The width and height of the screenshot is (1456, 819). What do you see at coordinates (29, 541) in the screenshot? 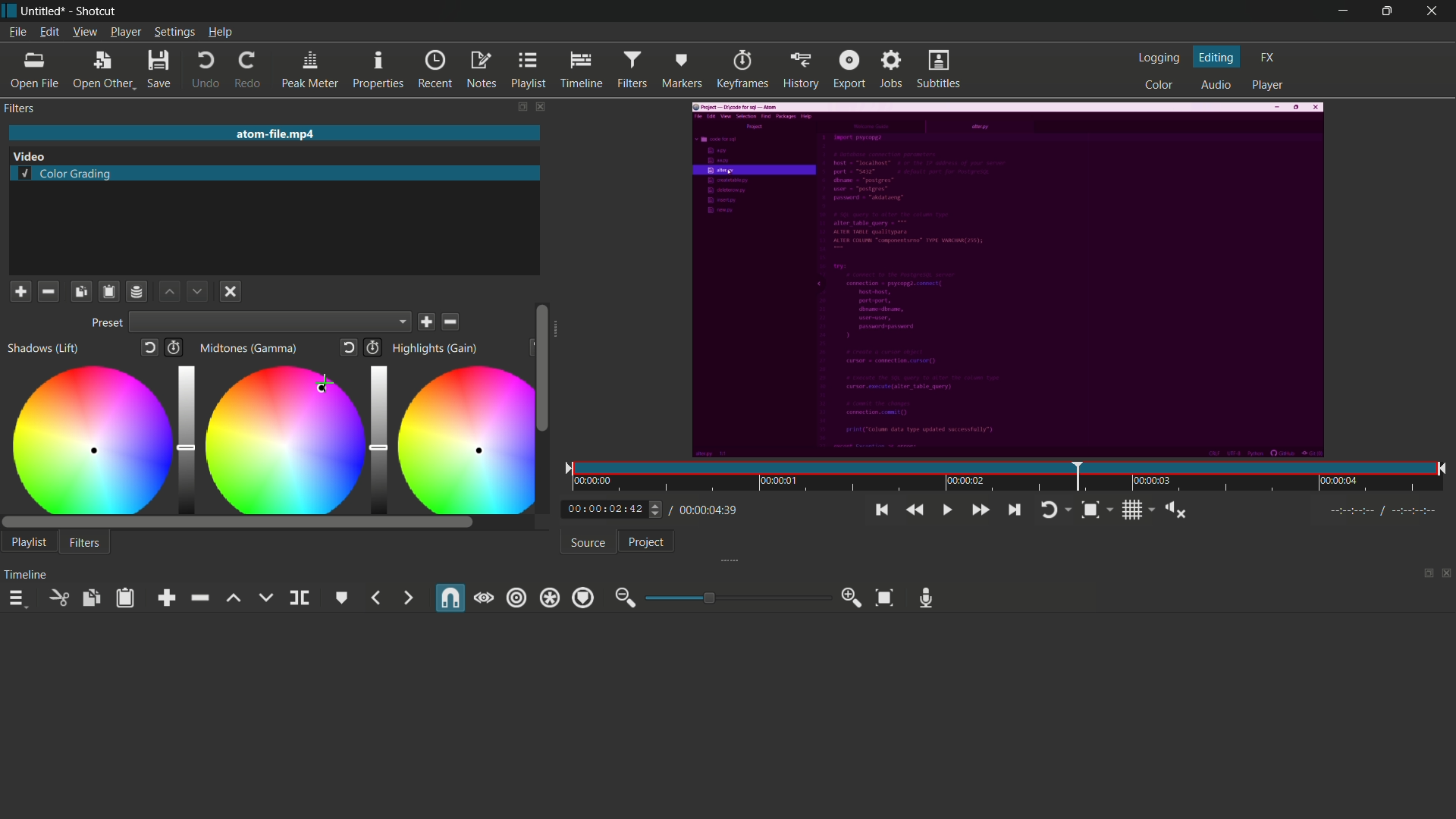
I see `playlist` at bounding box center [29, 541].